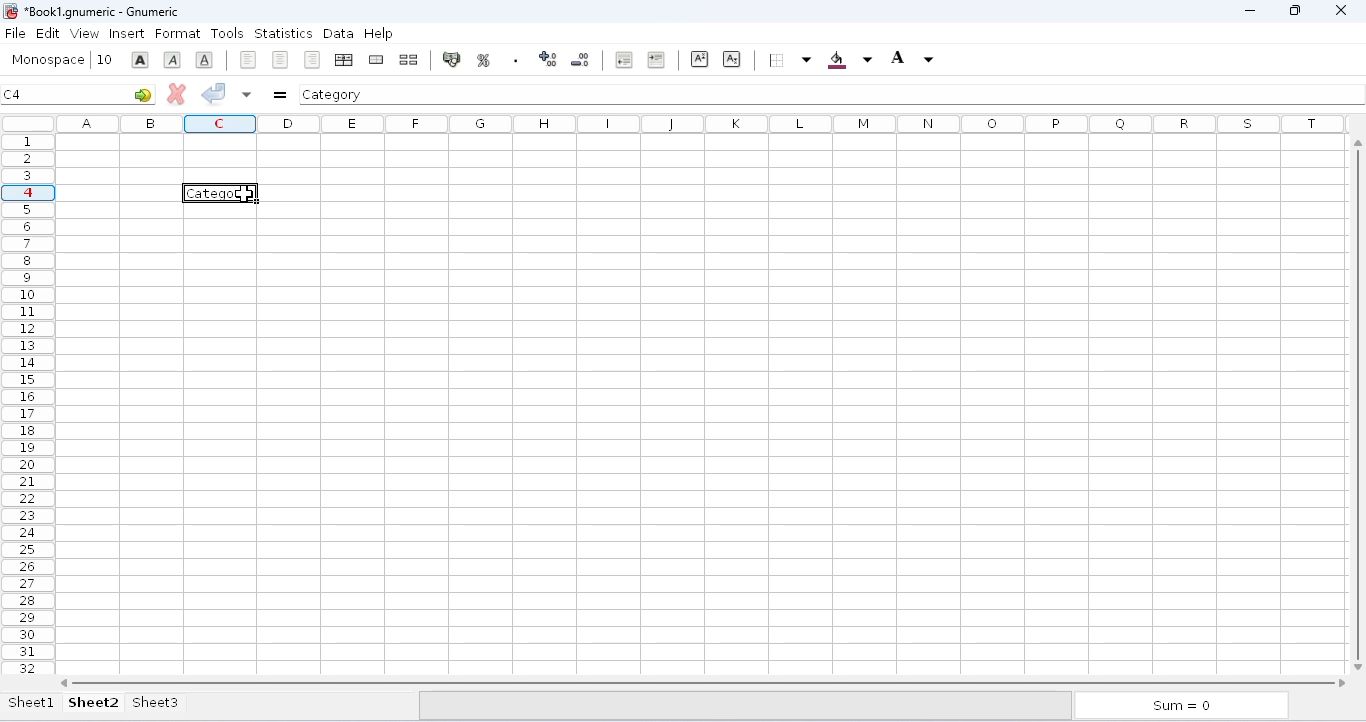  I want to click on close, so click(1340, 9).